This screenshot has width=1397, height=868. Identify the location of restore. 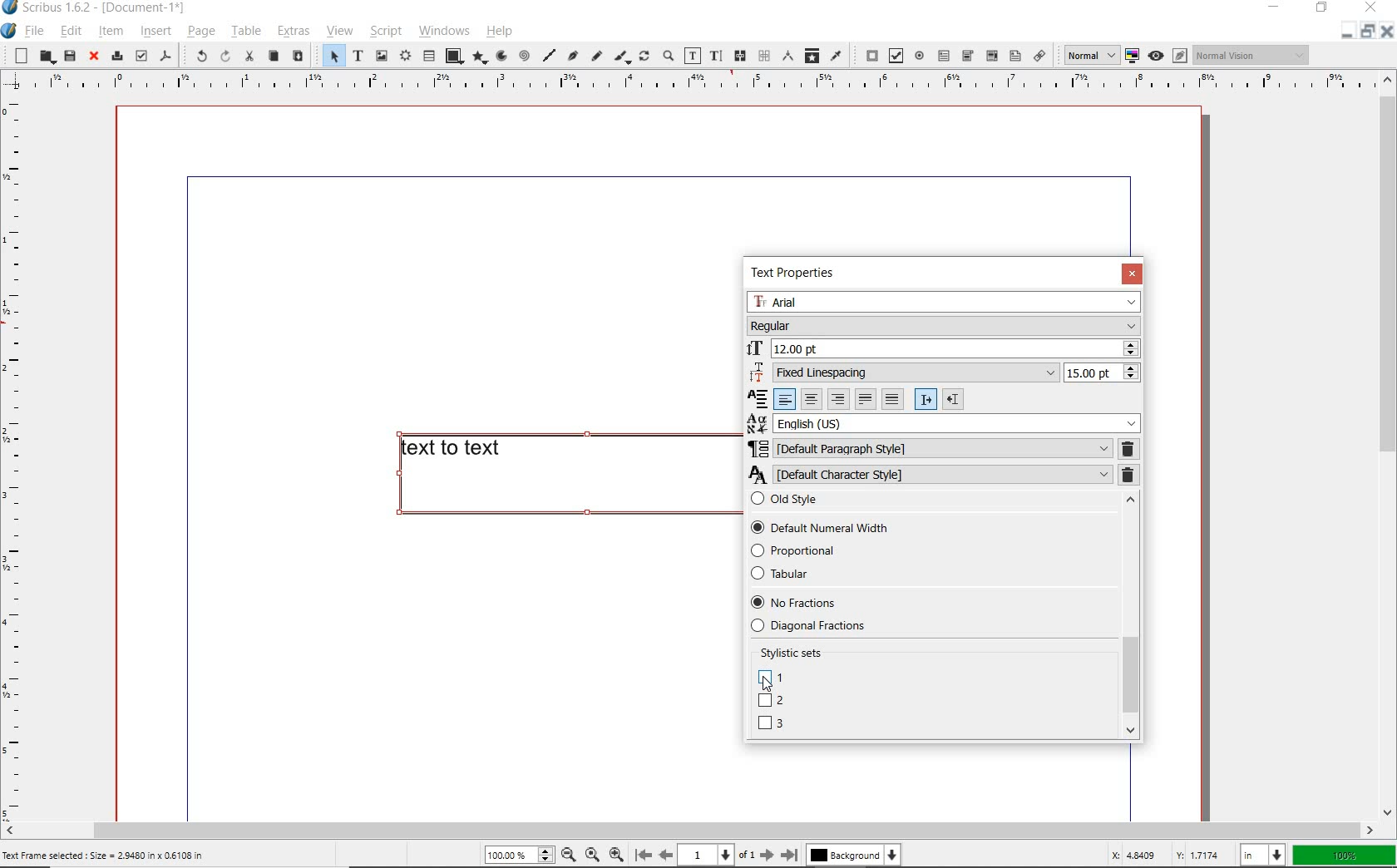
(1324, 9).